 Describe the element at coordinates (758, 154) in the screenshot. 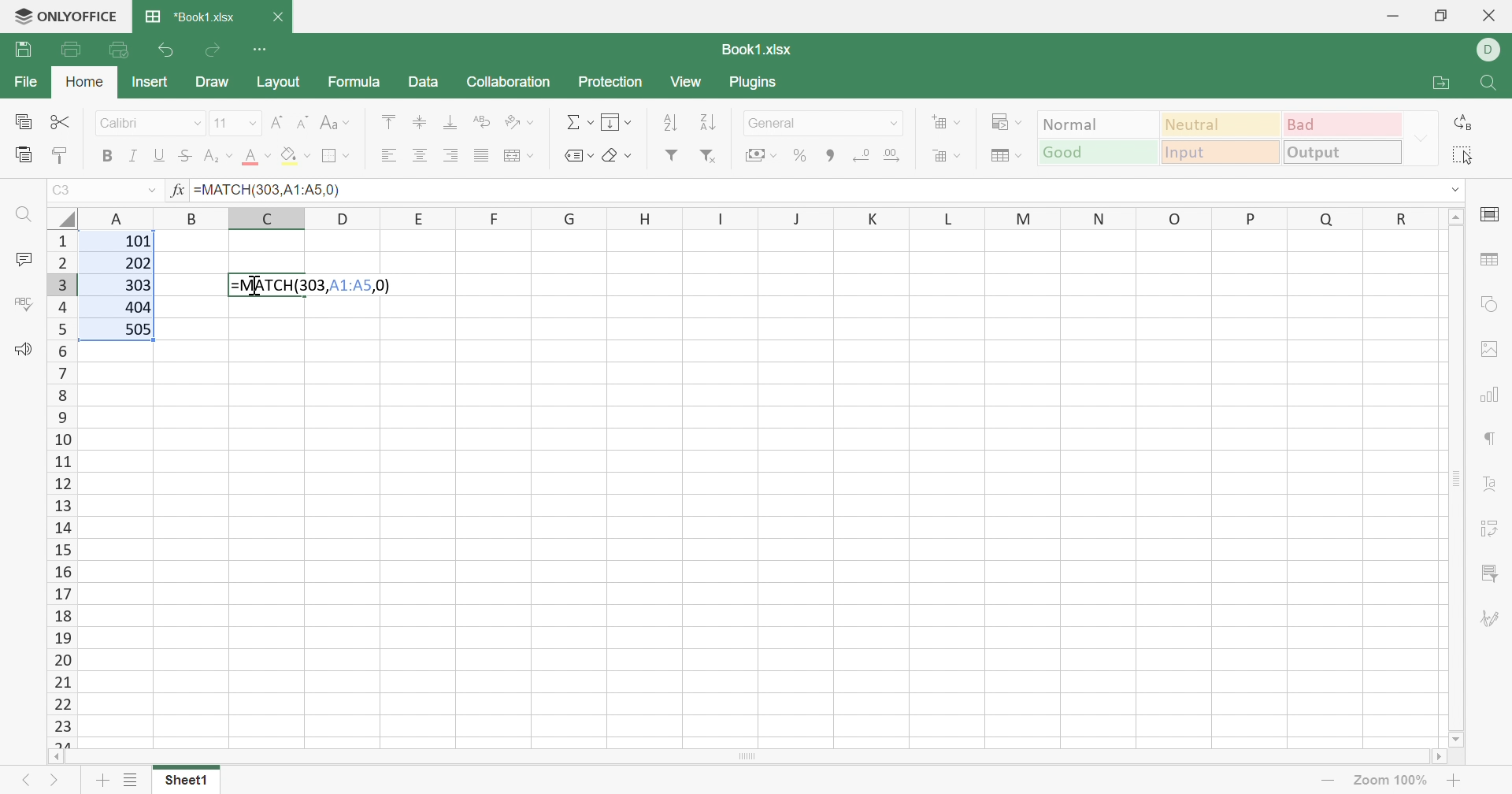

I see `Currency style` at that location.